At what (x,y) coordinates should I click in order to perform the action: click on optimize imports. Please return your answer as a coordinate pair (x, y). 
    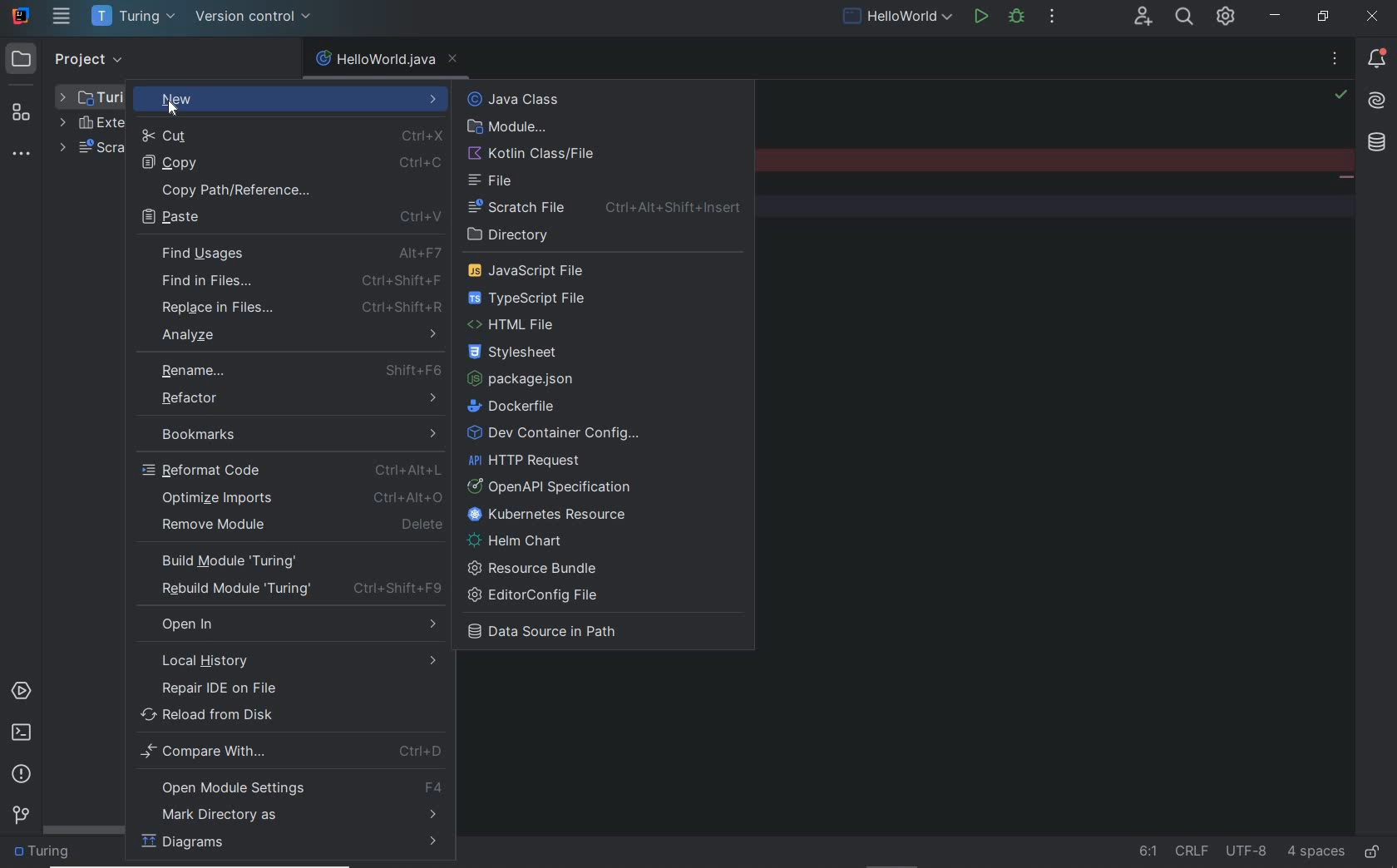
    Looking at the image, I should click on (304, 496).